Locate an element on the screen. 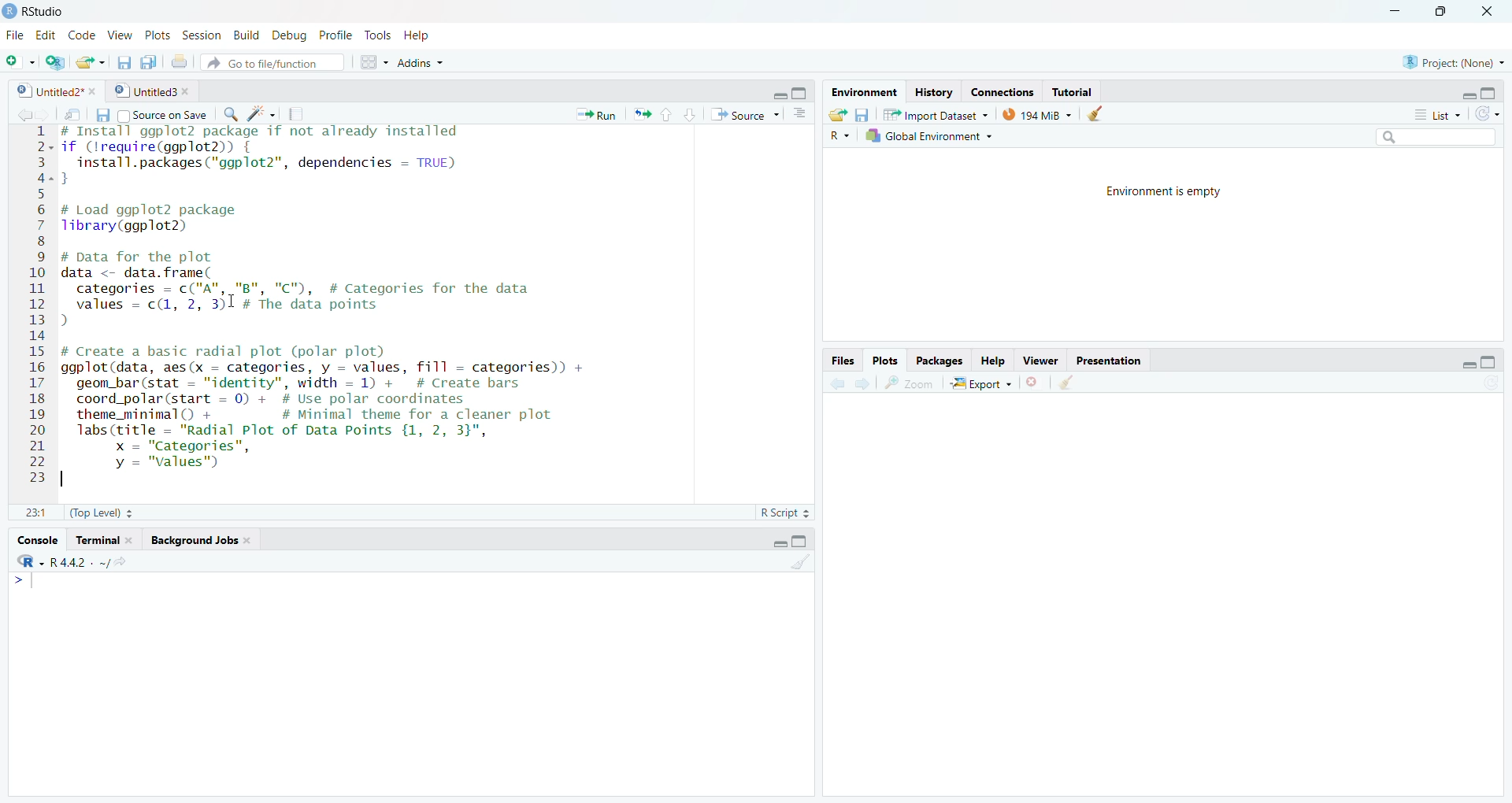 The width and height of the screenshot is (1512, 803). Search bar is located at coordinates (1438, 135).